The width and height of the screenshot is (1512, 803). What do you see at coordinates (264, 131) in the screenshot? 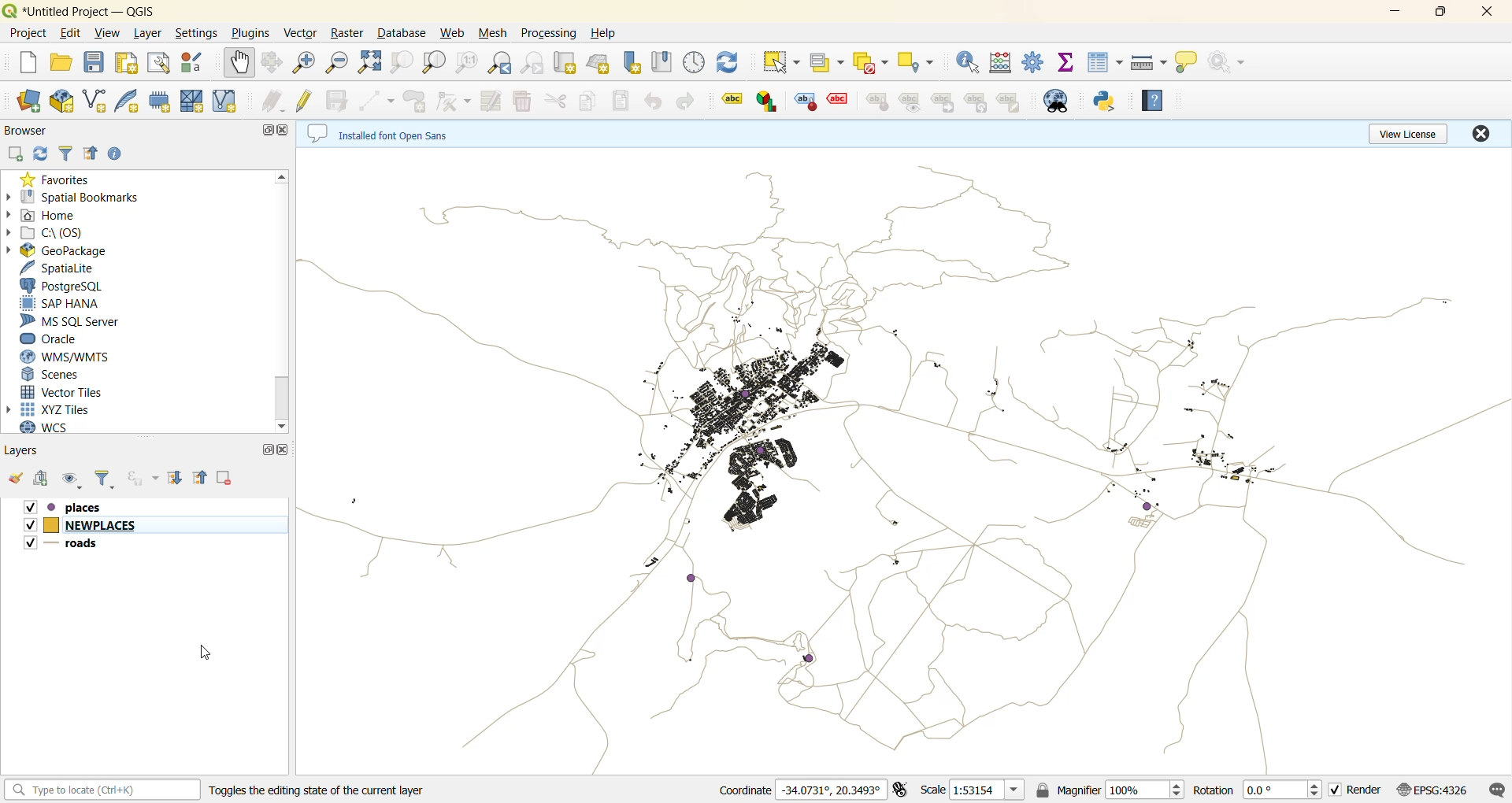
I see `maximize` at bounding box center [264, 131].